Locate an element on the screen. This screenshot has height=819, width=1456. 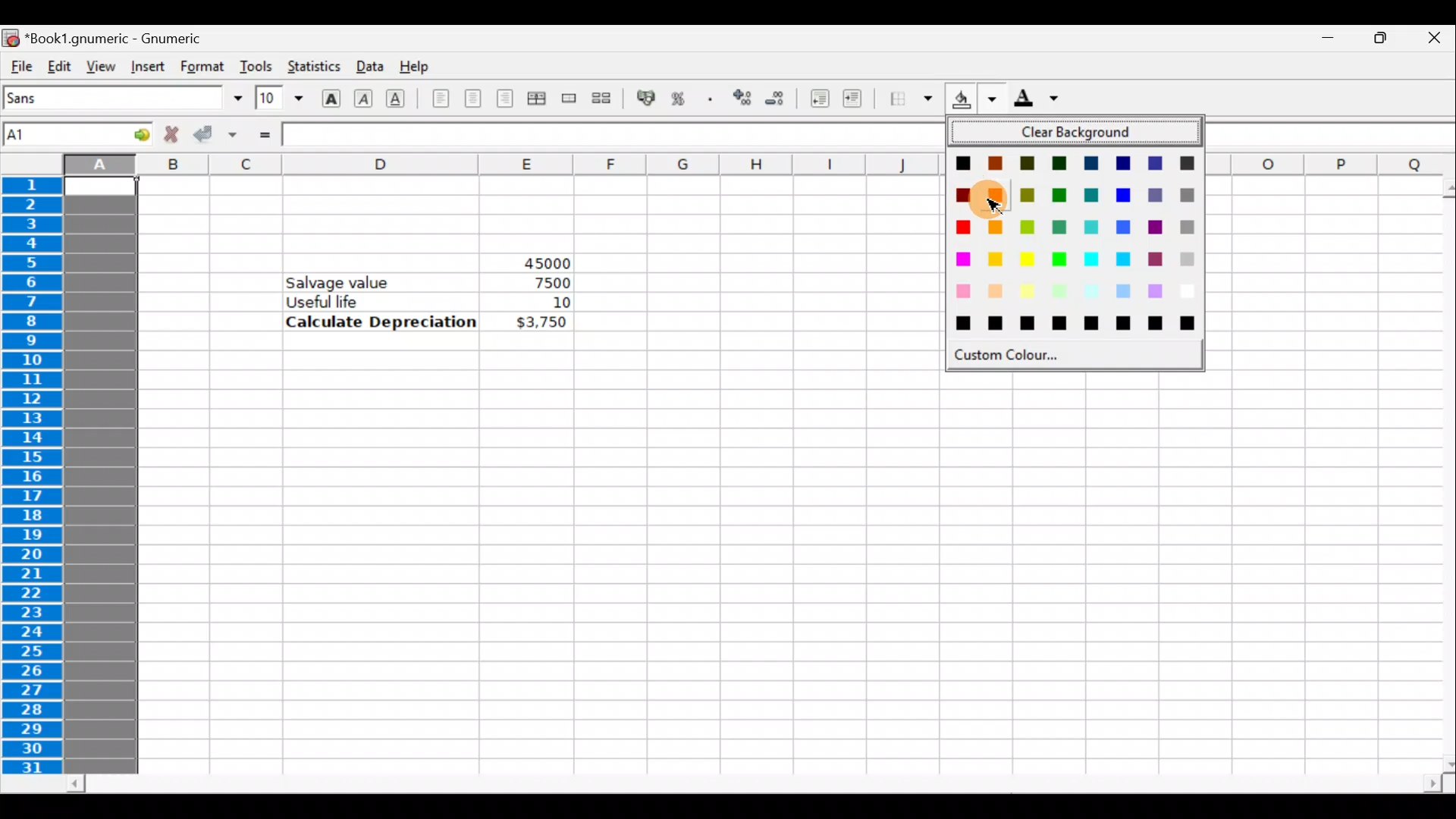
Columns is located at coordinates (463, 165).